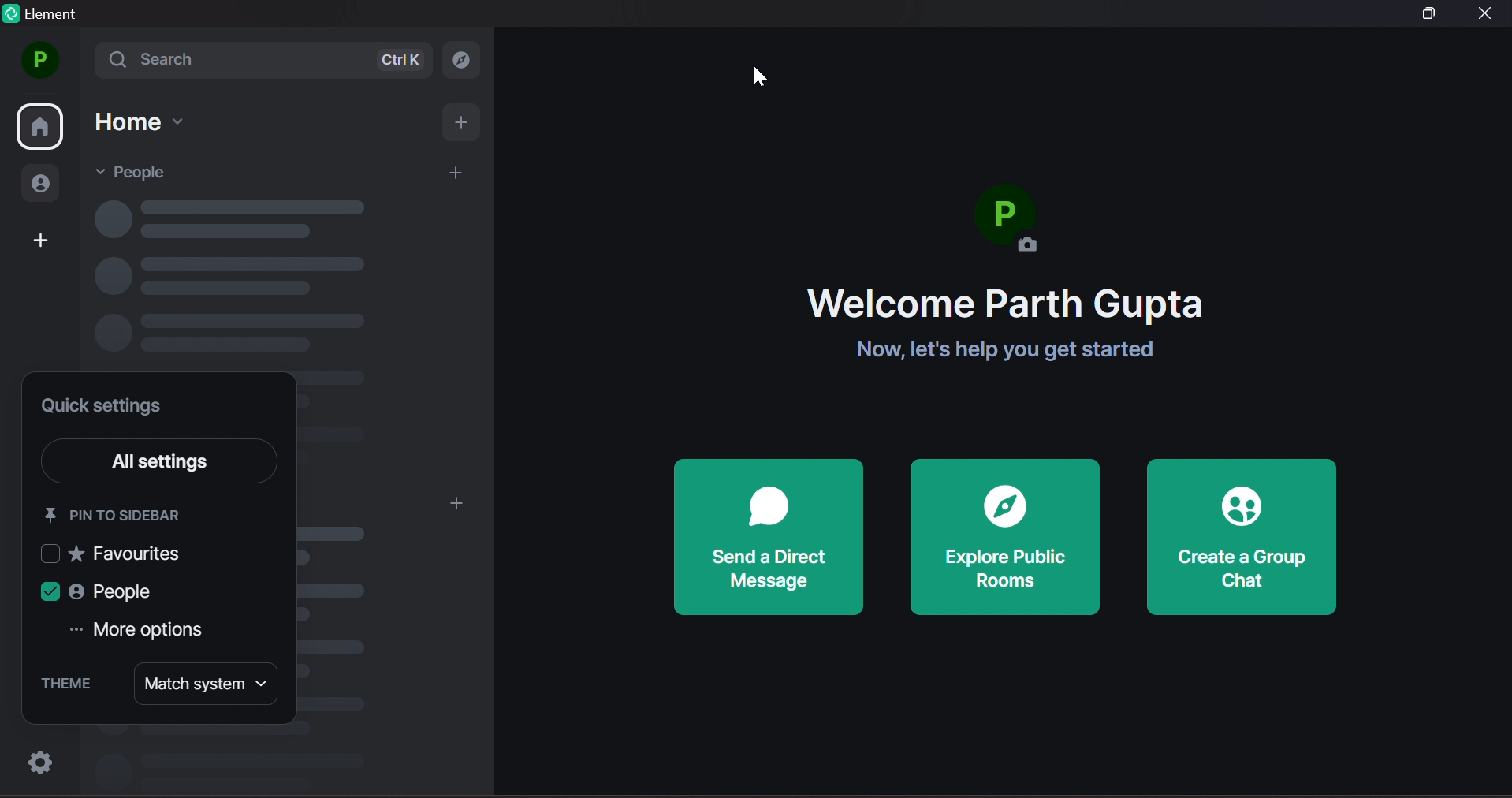  Describe the element at coordinates (467, 58) in the screenshot. I see `search` at that location.